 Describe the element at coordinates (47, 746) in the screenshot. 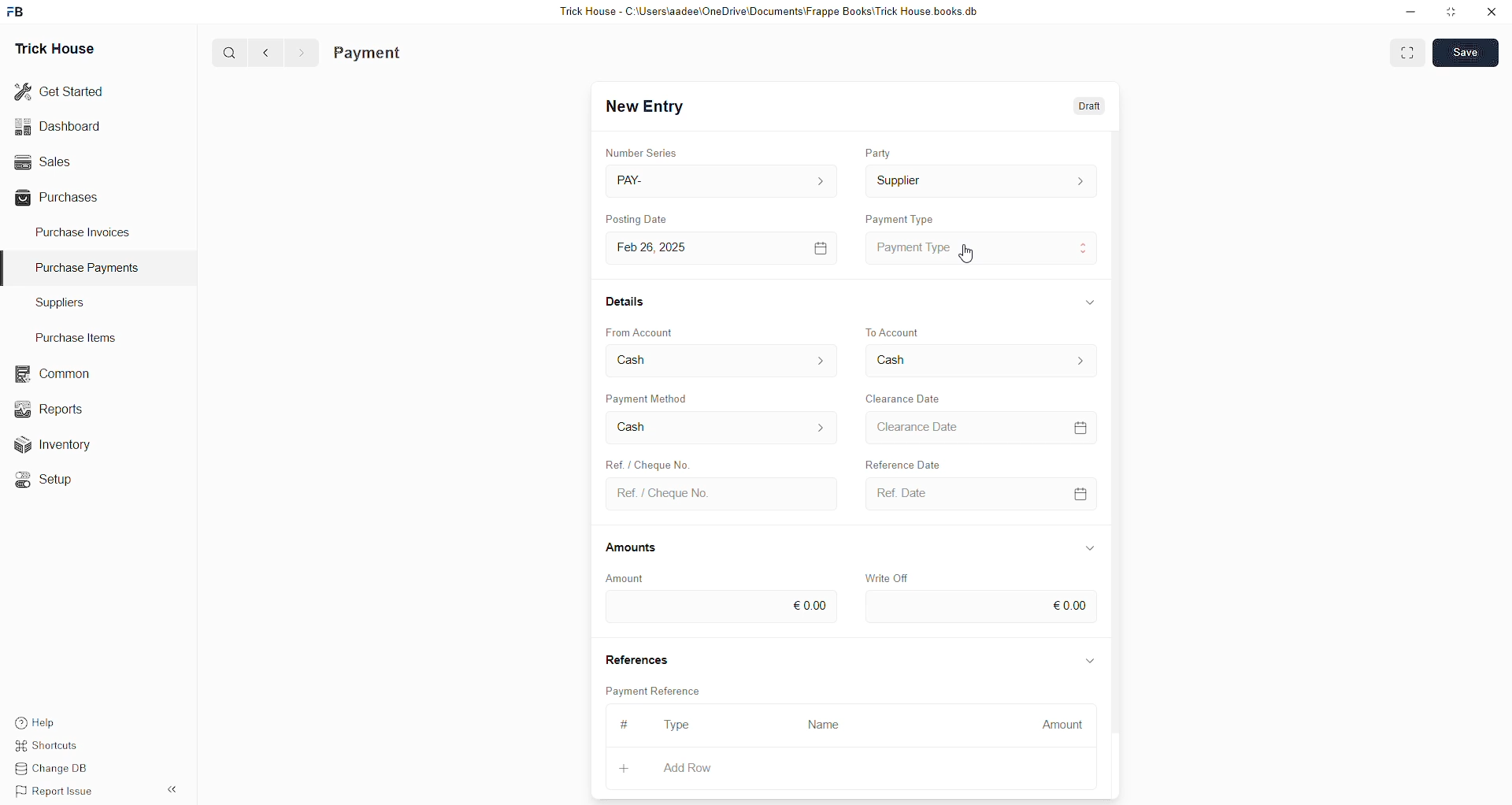

I see `Shortcuts` at that location.